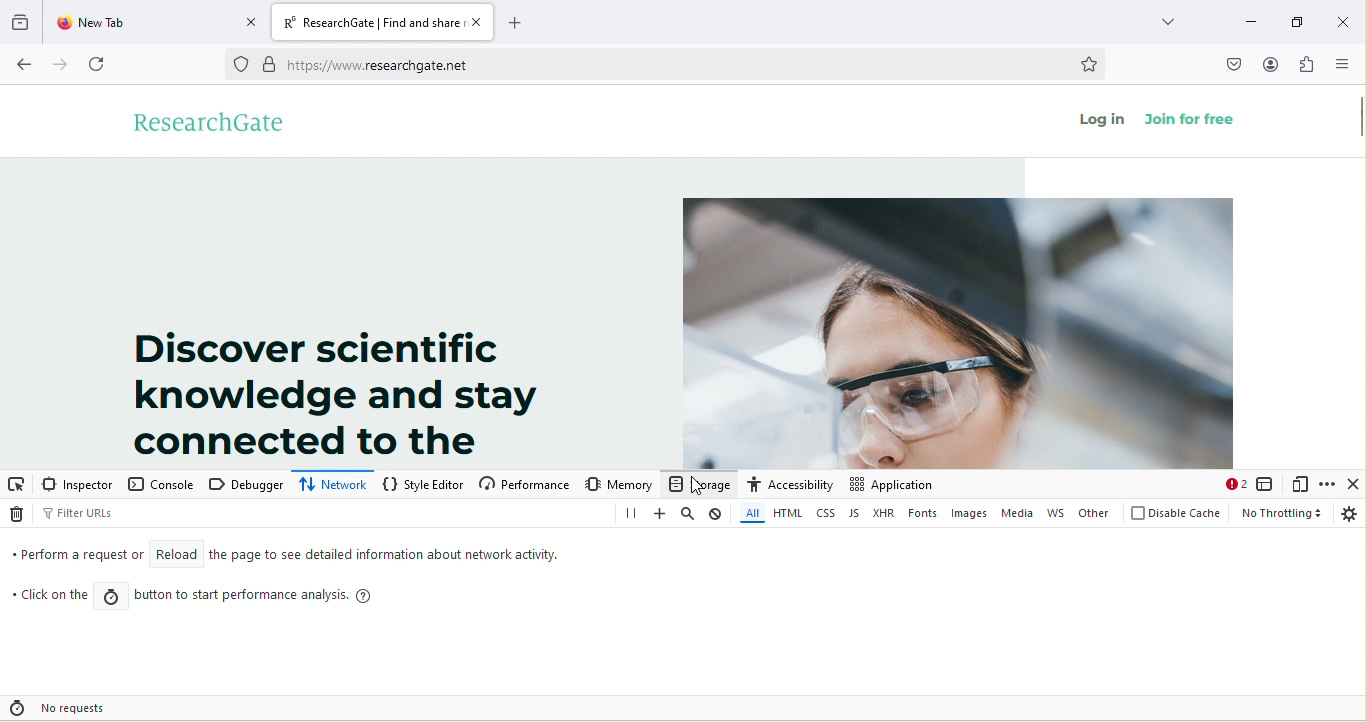 The height and width of the screenshot is (722, 1366). Describe the element at coordinates (421, 484) in the screenshot. I see `style editor` at that location.